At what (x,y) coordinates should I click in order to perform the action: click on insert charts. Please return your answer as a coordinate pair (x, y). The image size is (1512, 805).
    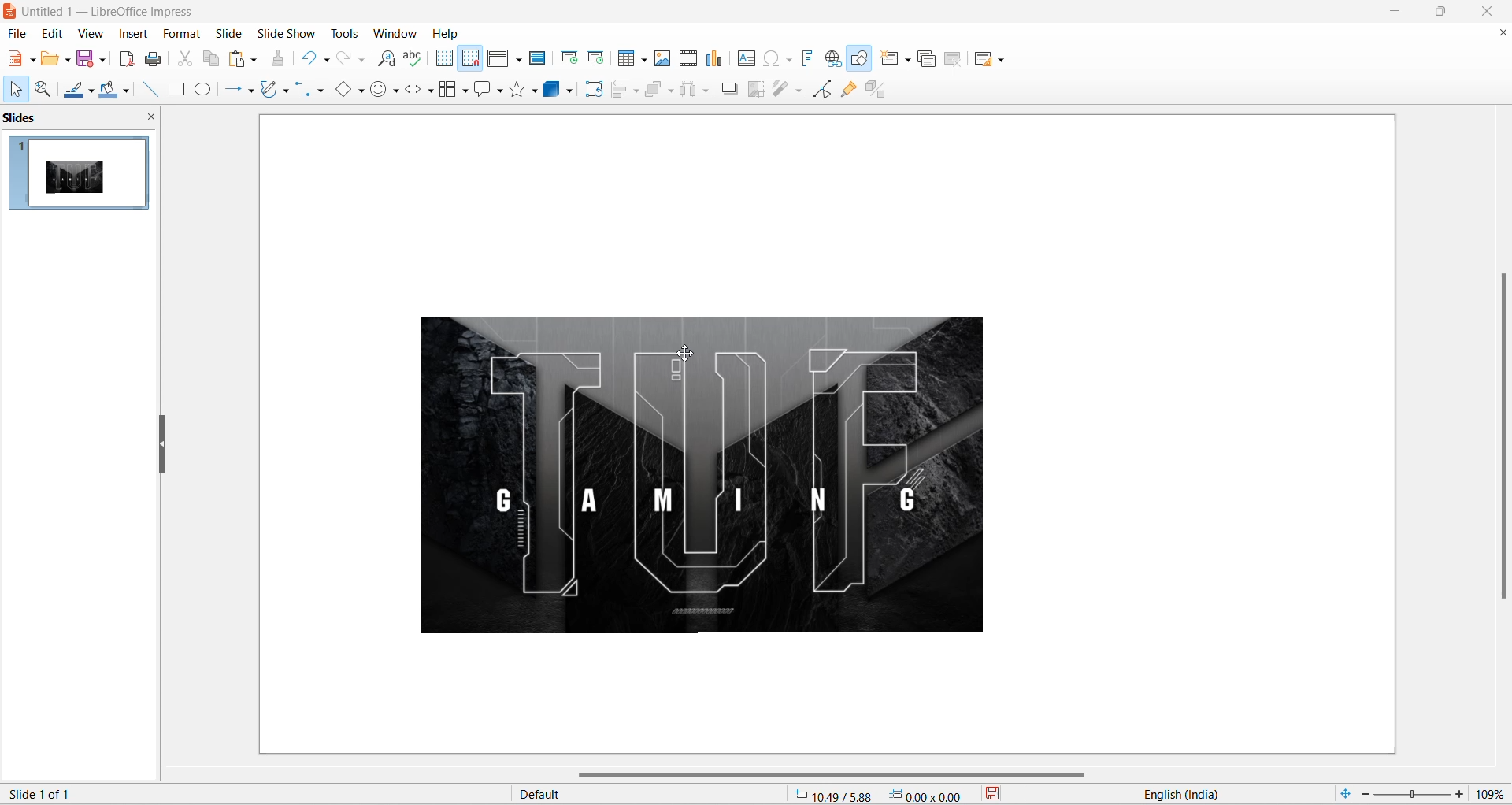
    Looking at the image, I should click on (715, 59).